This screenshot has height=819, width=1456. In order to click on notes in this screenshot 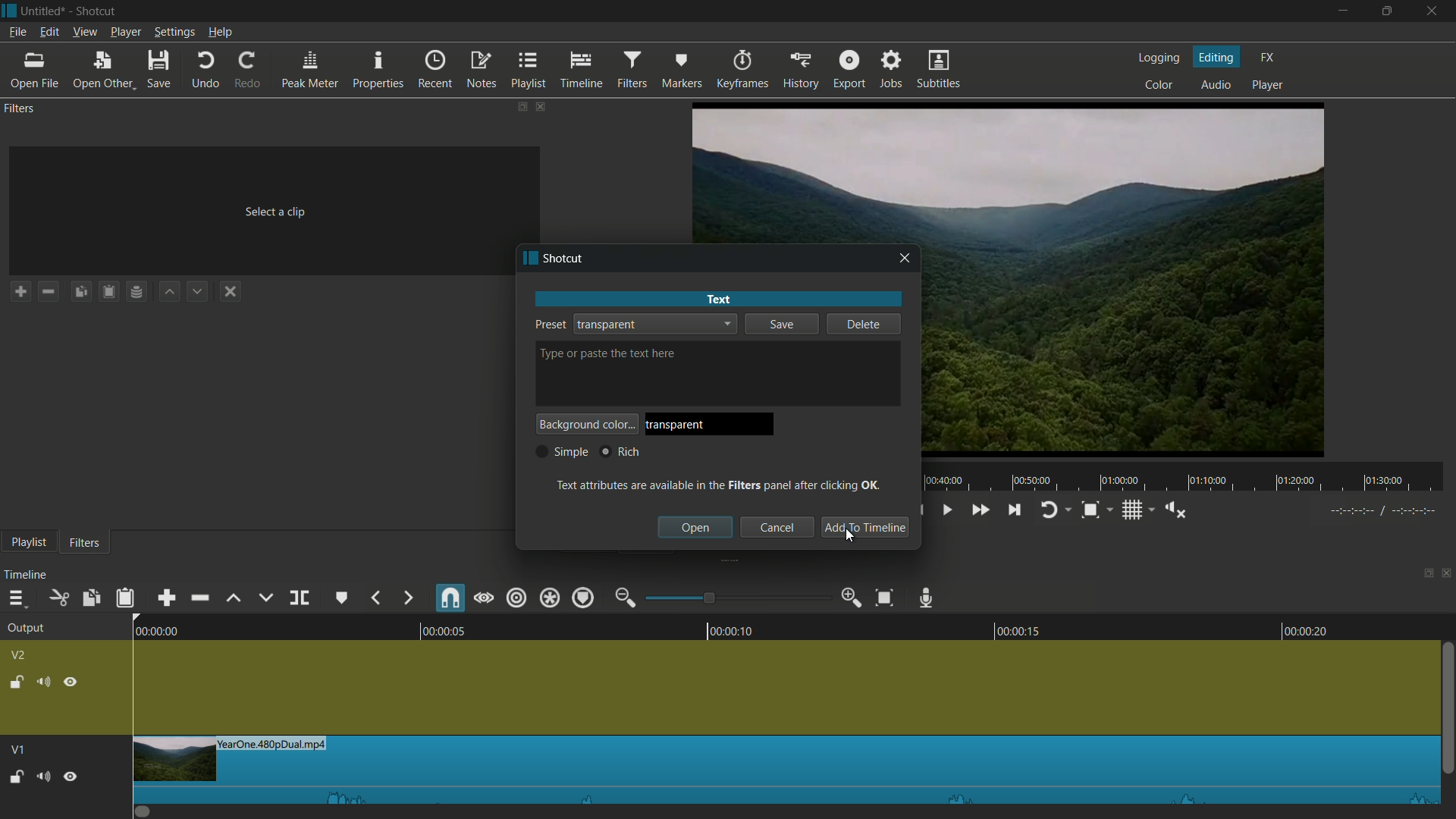, I will do `click(483, 69)`.